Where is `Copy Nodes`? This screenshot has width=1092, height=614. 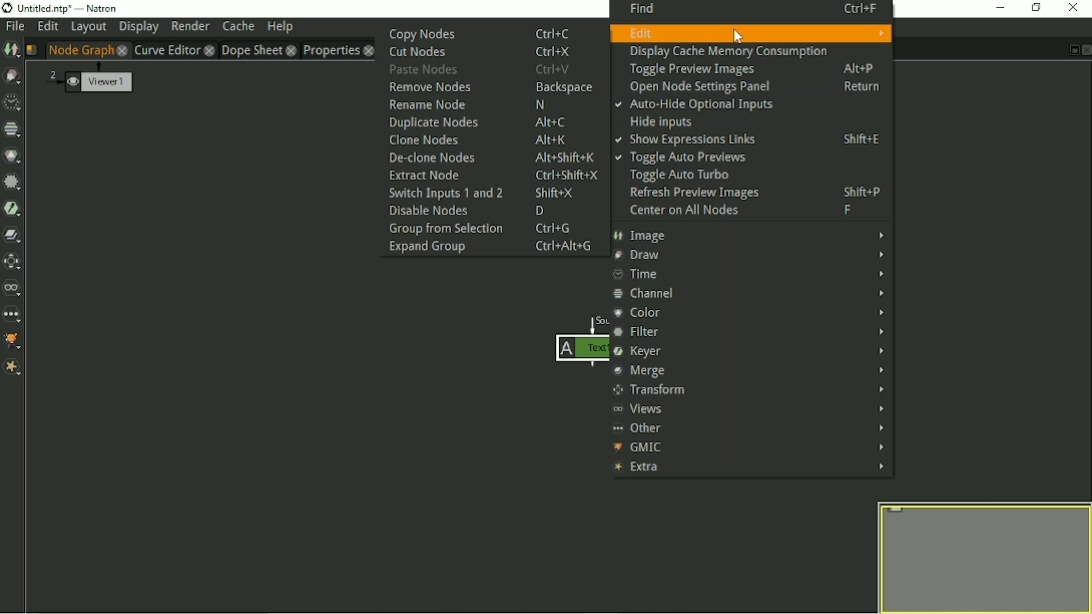 Copy Nodes is located at coordinates (480, 32).